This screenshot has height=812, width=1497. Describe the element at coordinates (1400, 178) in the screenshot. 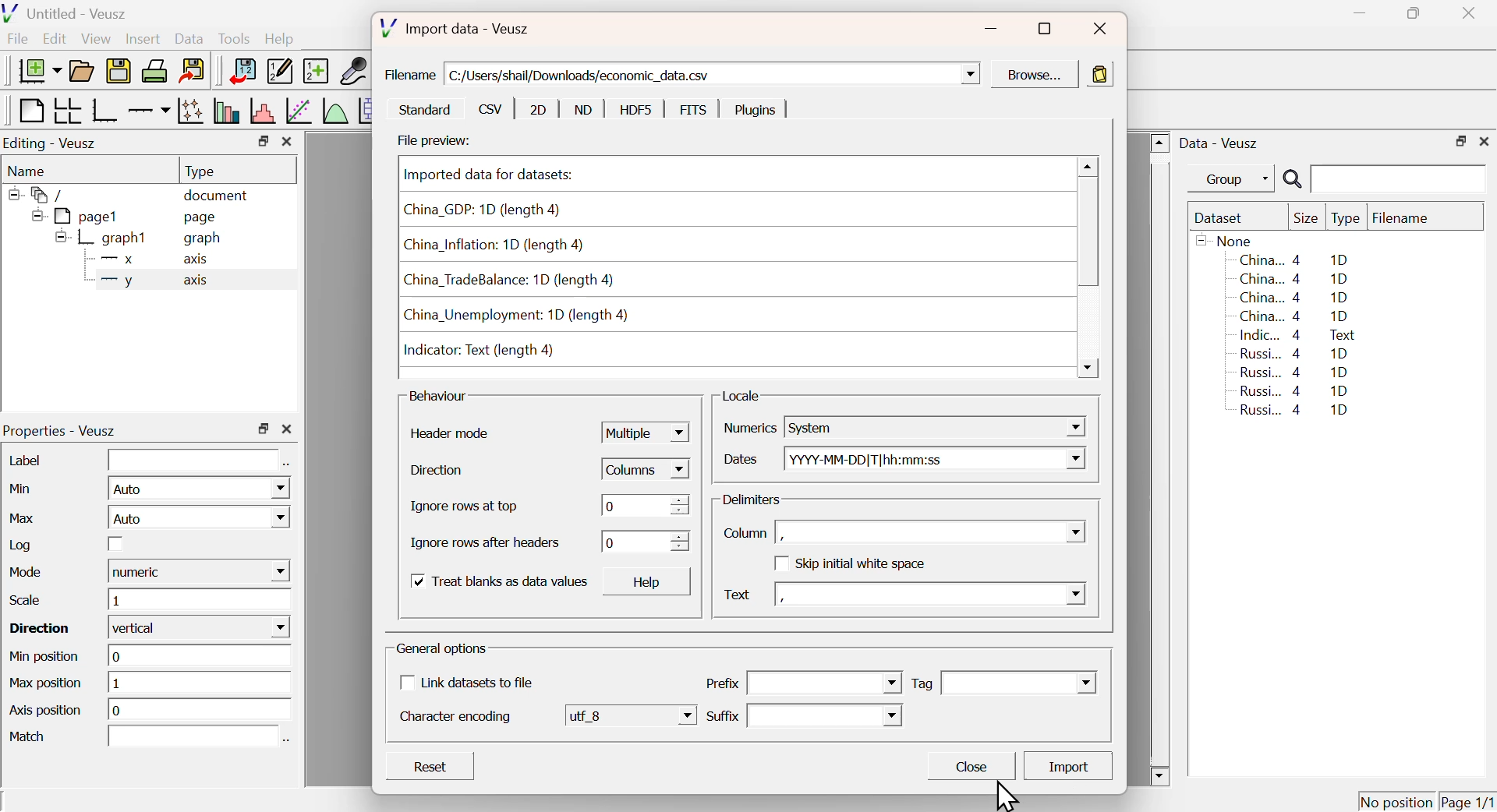

I see `Search Input` at that location.